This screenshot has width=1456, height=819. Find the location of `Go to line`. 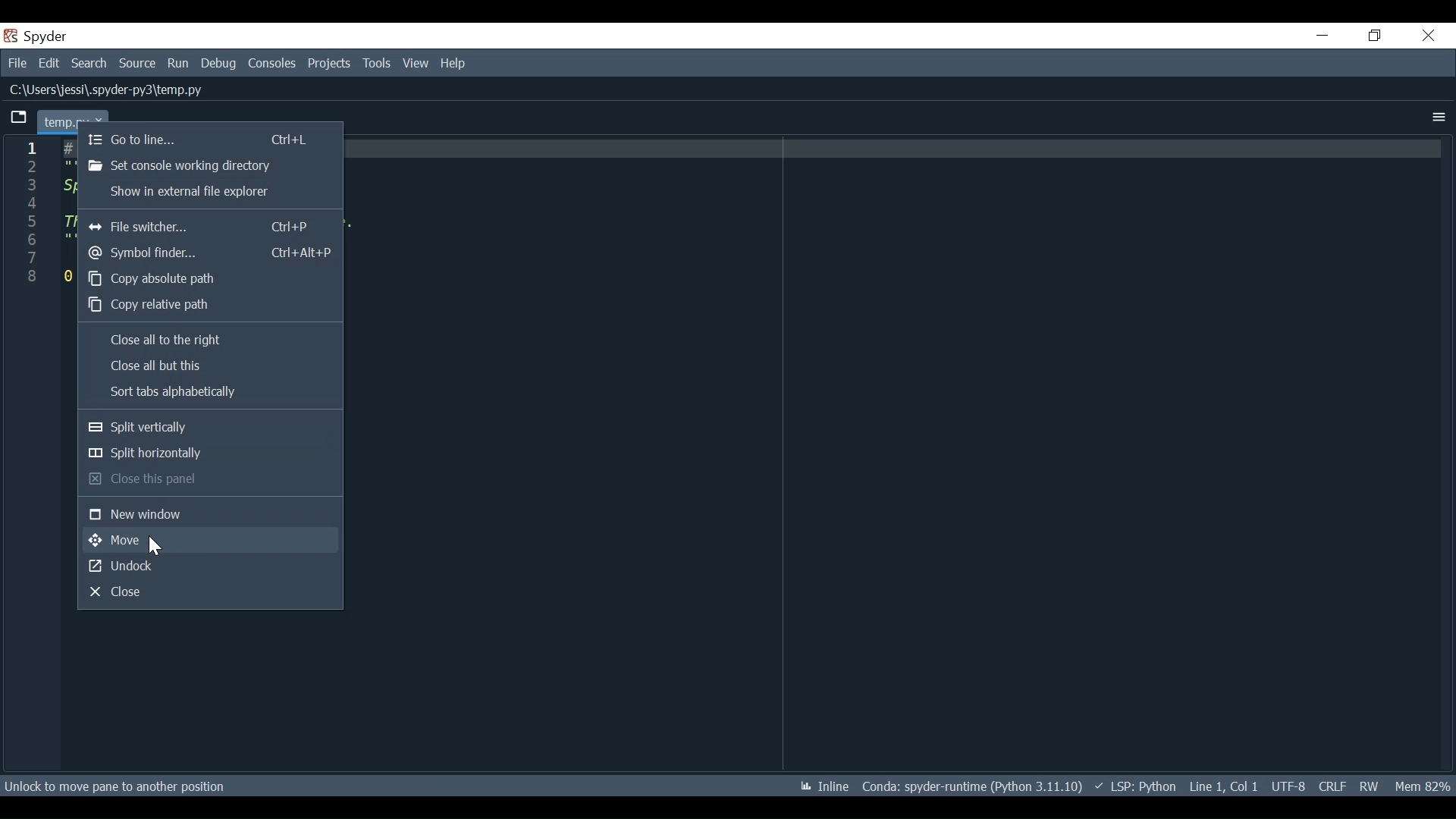

Go to line is located at coordinates (209, 140).